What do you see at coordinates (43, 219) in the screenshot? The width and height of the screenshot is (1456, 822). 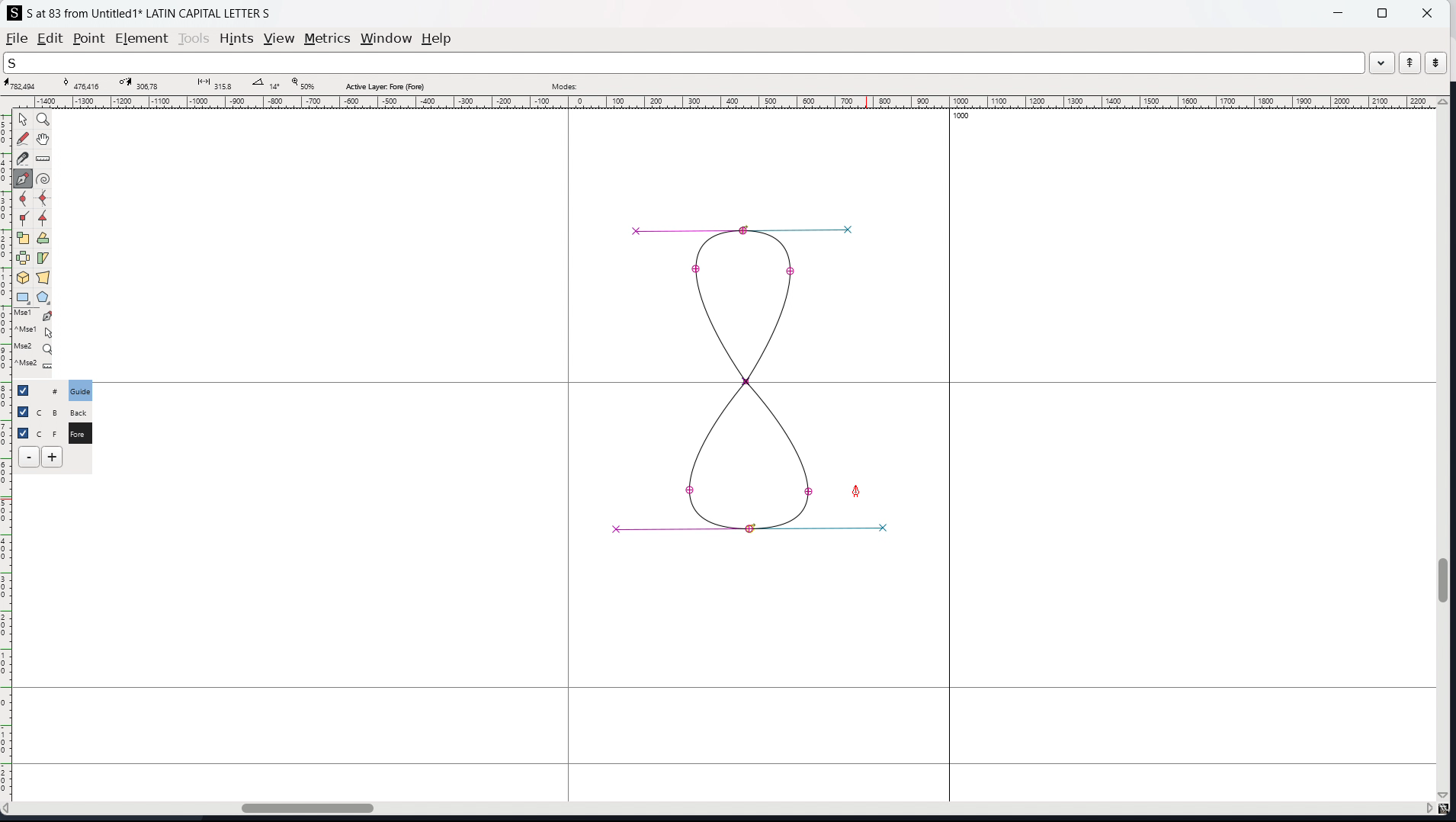 I see `add a tangent point` at bounding box center [43, 219].